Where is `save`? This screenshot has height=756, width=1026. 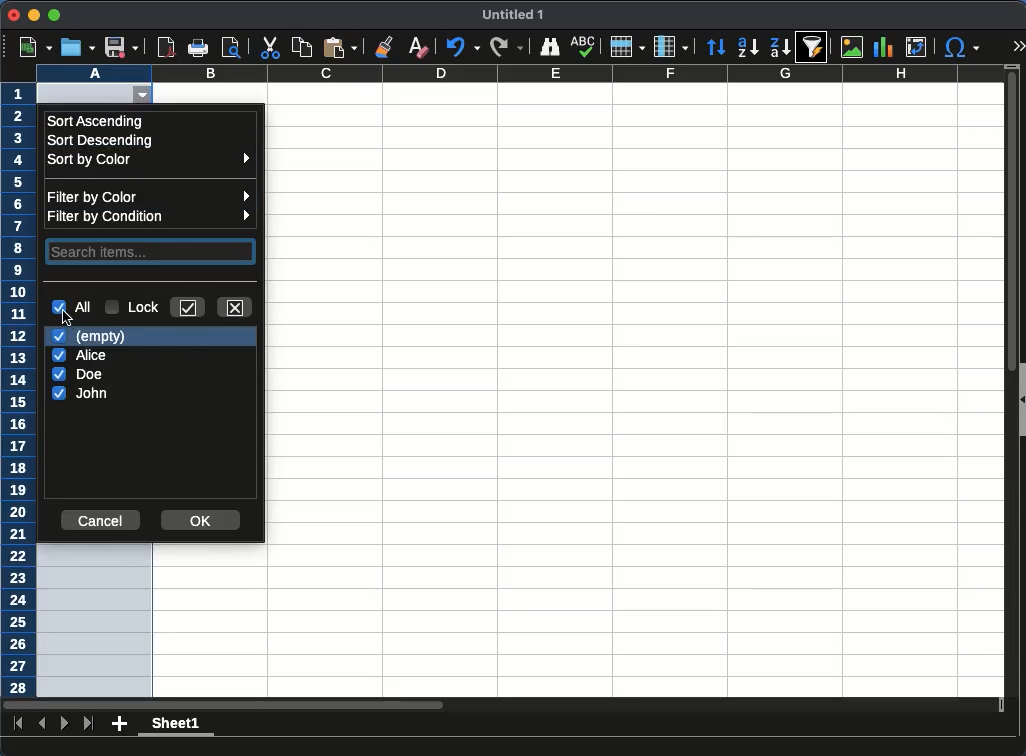 save is located at coordinates (120, 47).